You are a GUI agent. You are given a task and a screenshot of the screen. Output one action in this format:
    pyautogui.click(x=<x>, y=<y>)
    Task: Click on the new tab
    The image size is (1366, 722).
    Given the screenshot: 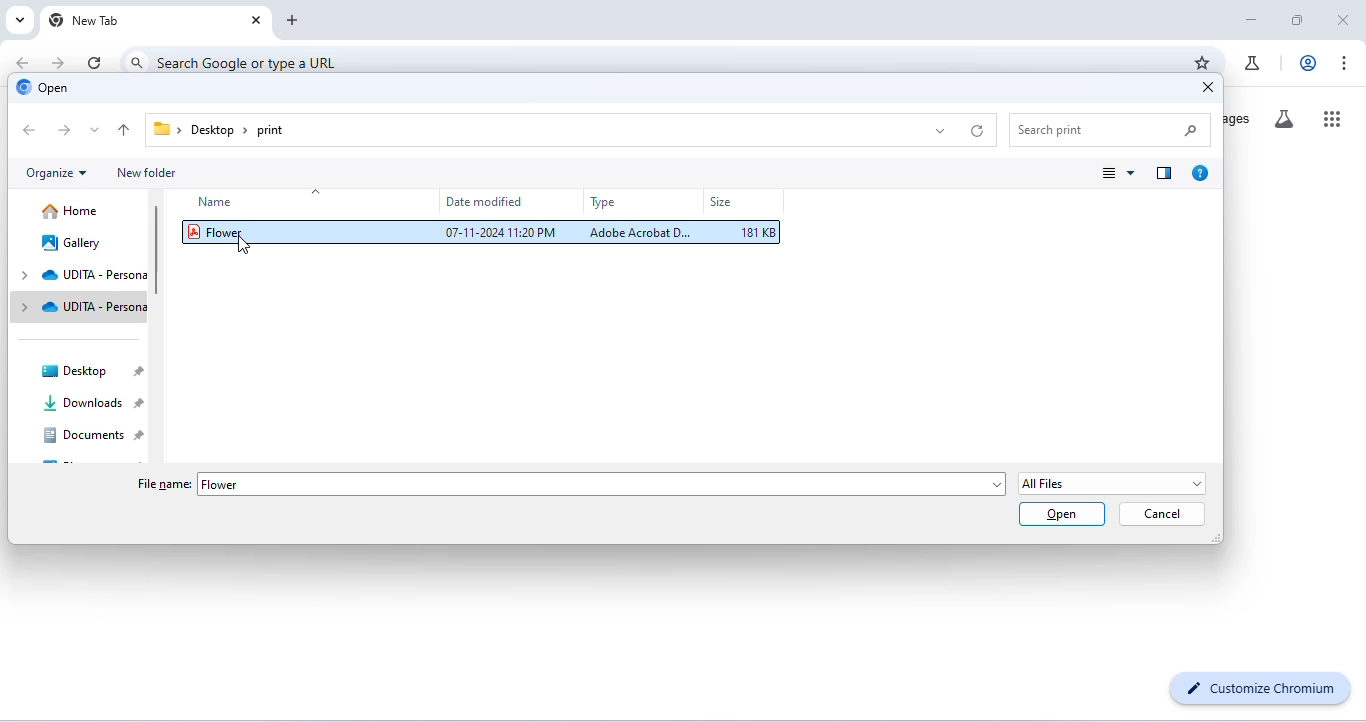 What is the action you would take?
    pyautogui.click(x=85, y=20)
    